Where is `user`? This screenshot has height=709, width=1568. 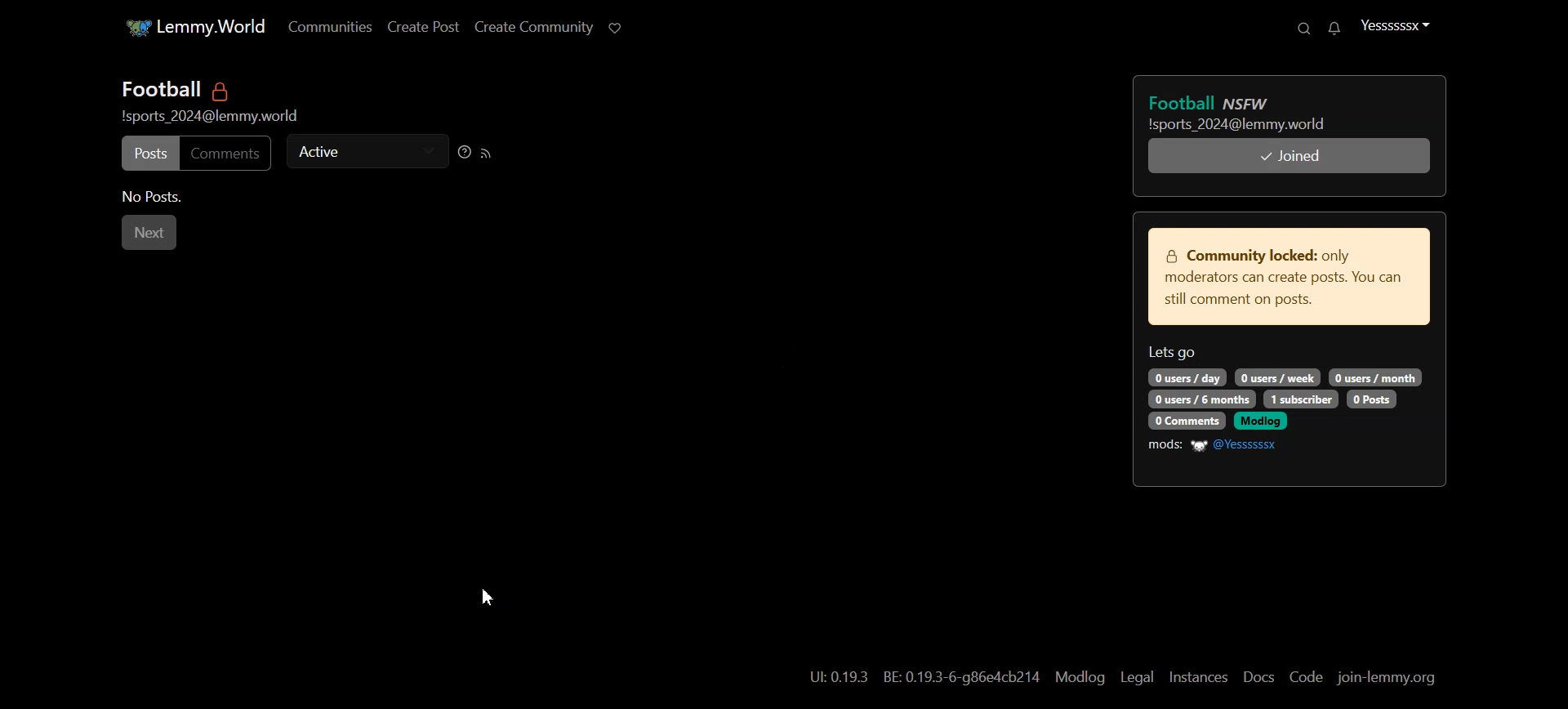 user is located at coordinates (1242, 444).